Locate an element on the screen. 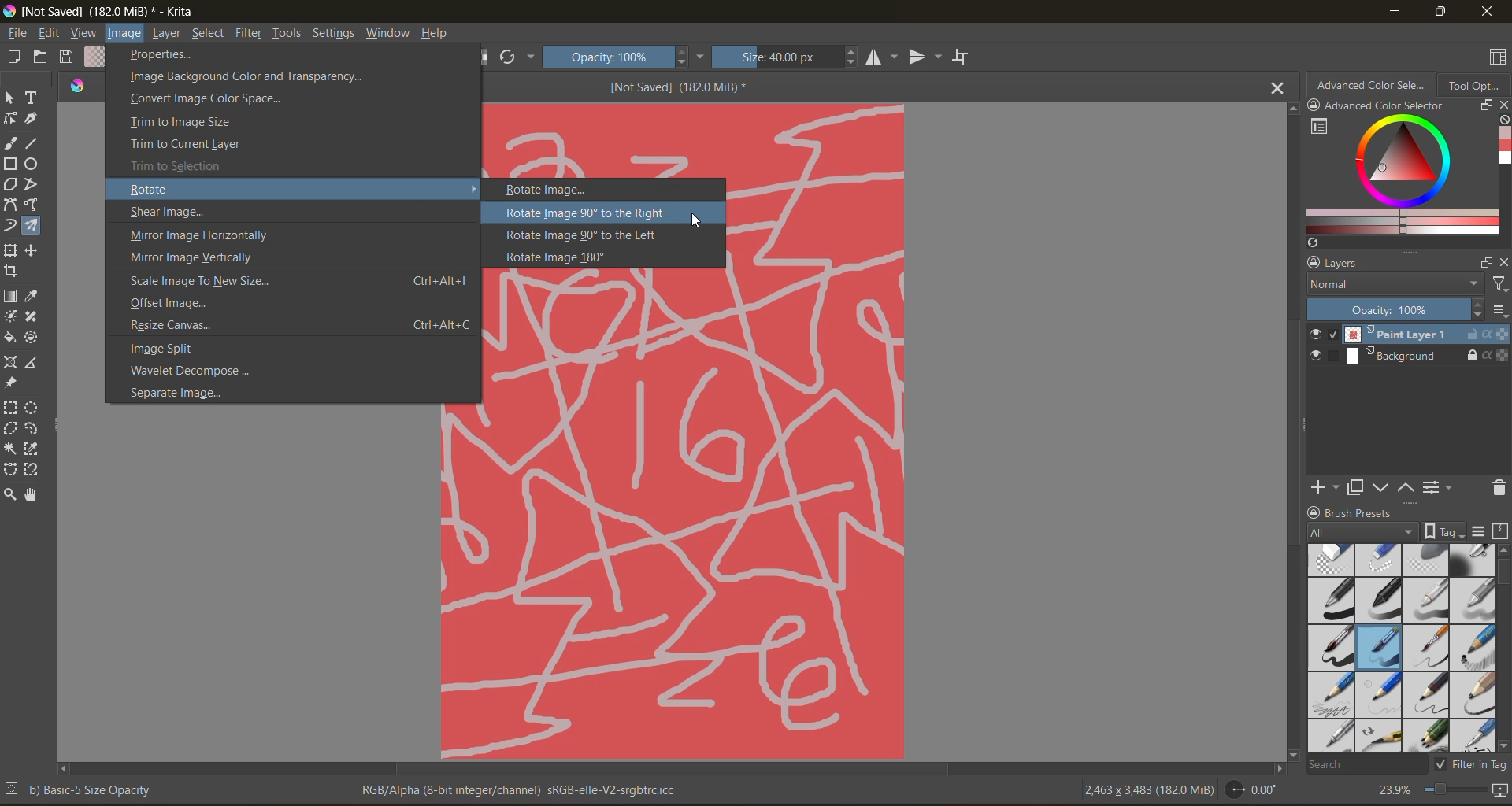 The width and height of the screenshot is (1512, 806). rotate angle is located at coordinates (1257, 788).